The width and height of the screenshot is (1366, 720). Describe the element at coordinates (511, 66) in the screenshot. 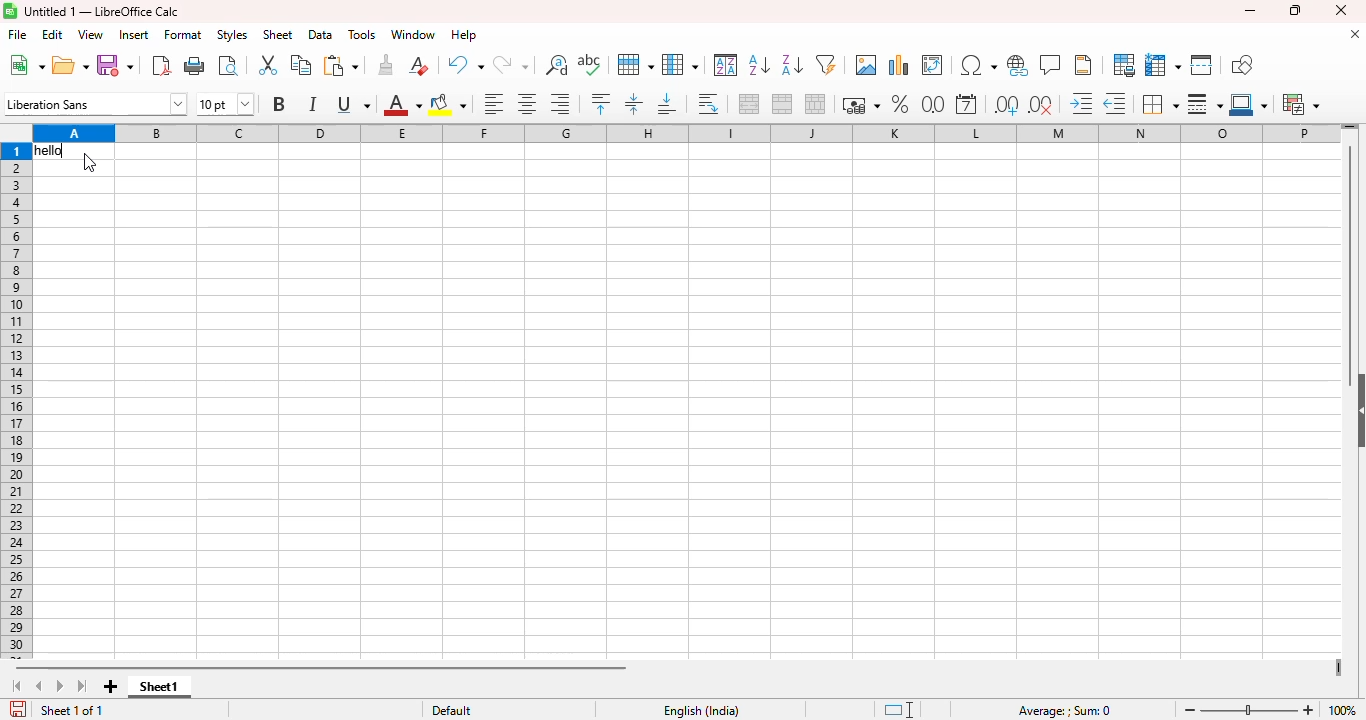

I see `redo` at that location.